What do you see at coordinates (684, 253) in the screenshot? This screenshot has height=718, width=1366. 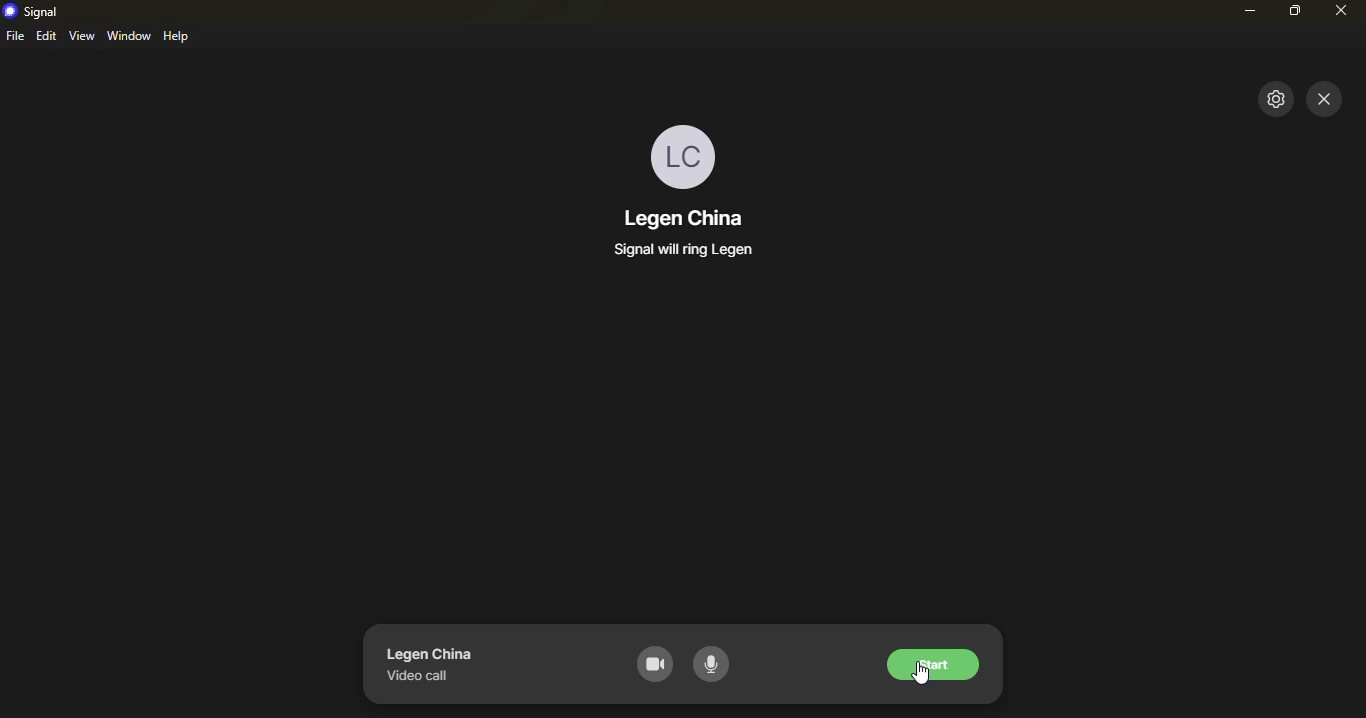 I see `signal will ring contact` at bounding box center [684, 253].